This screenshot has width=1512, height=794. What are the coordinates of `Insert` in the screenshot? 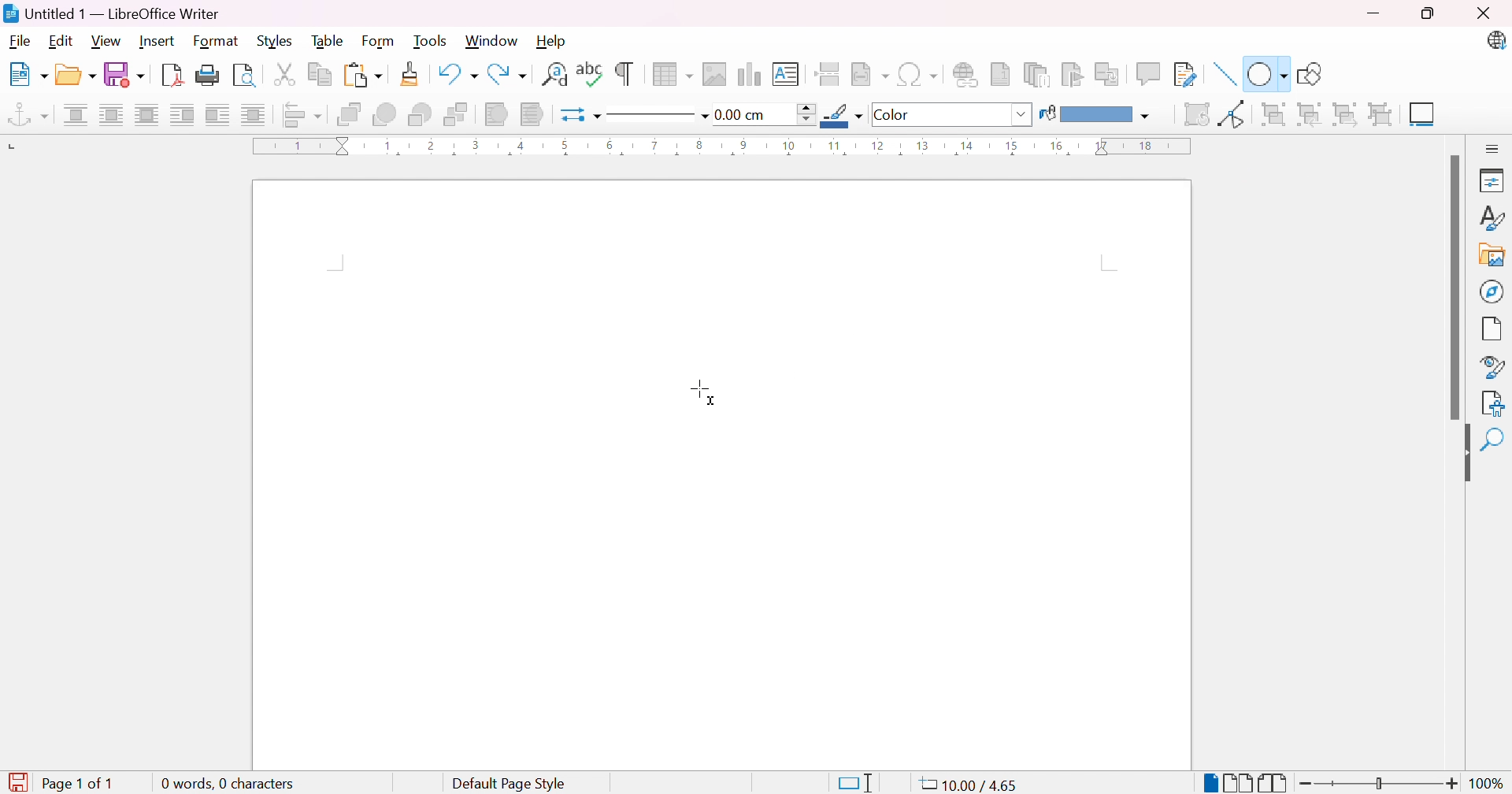 It's located at (159, 42).